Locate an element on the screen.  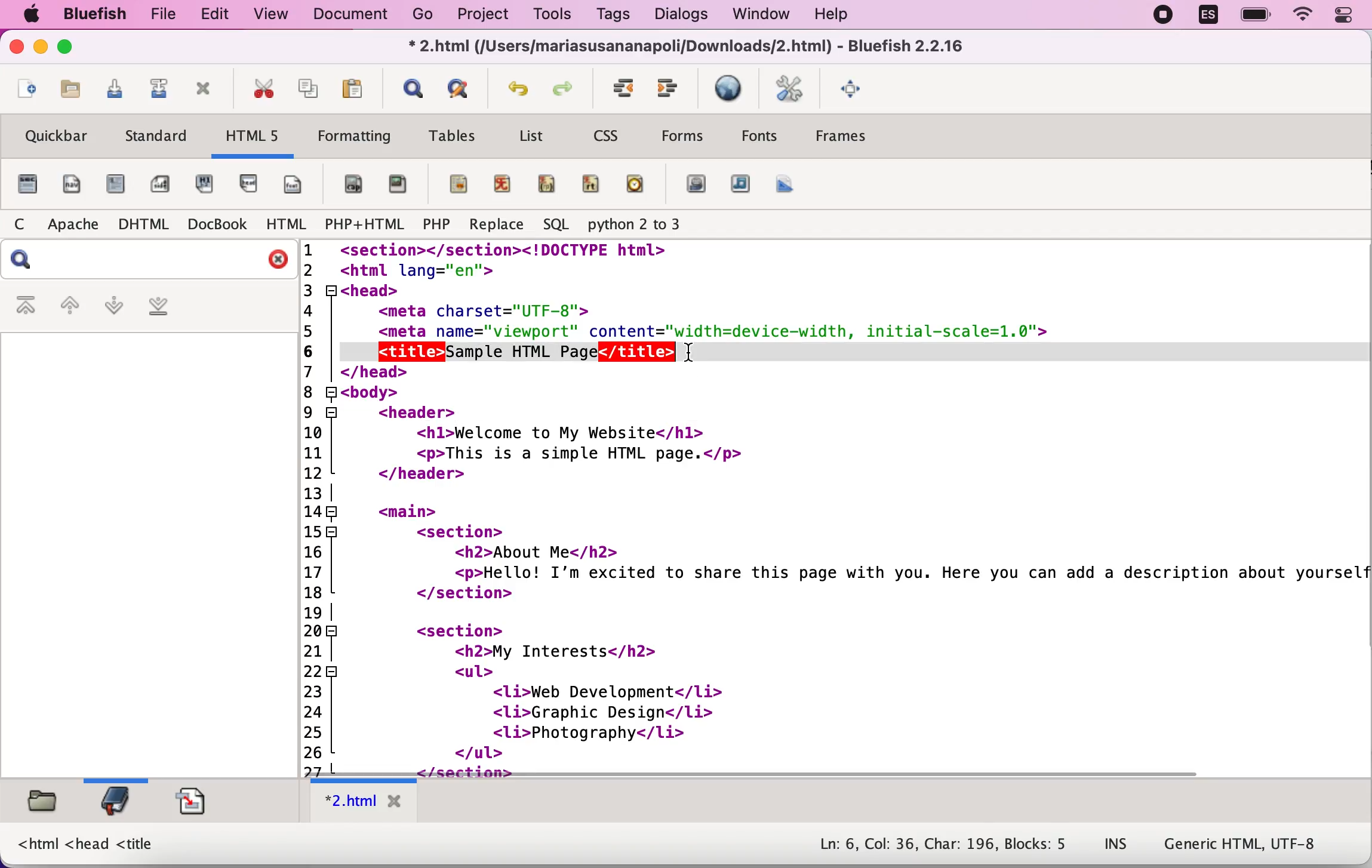
cursor is located at coordinates (697, 359).